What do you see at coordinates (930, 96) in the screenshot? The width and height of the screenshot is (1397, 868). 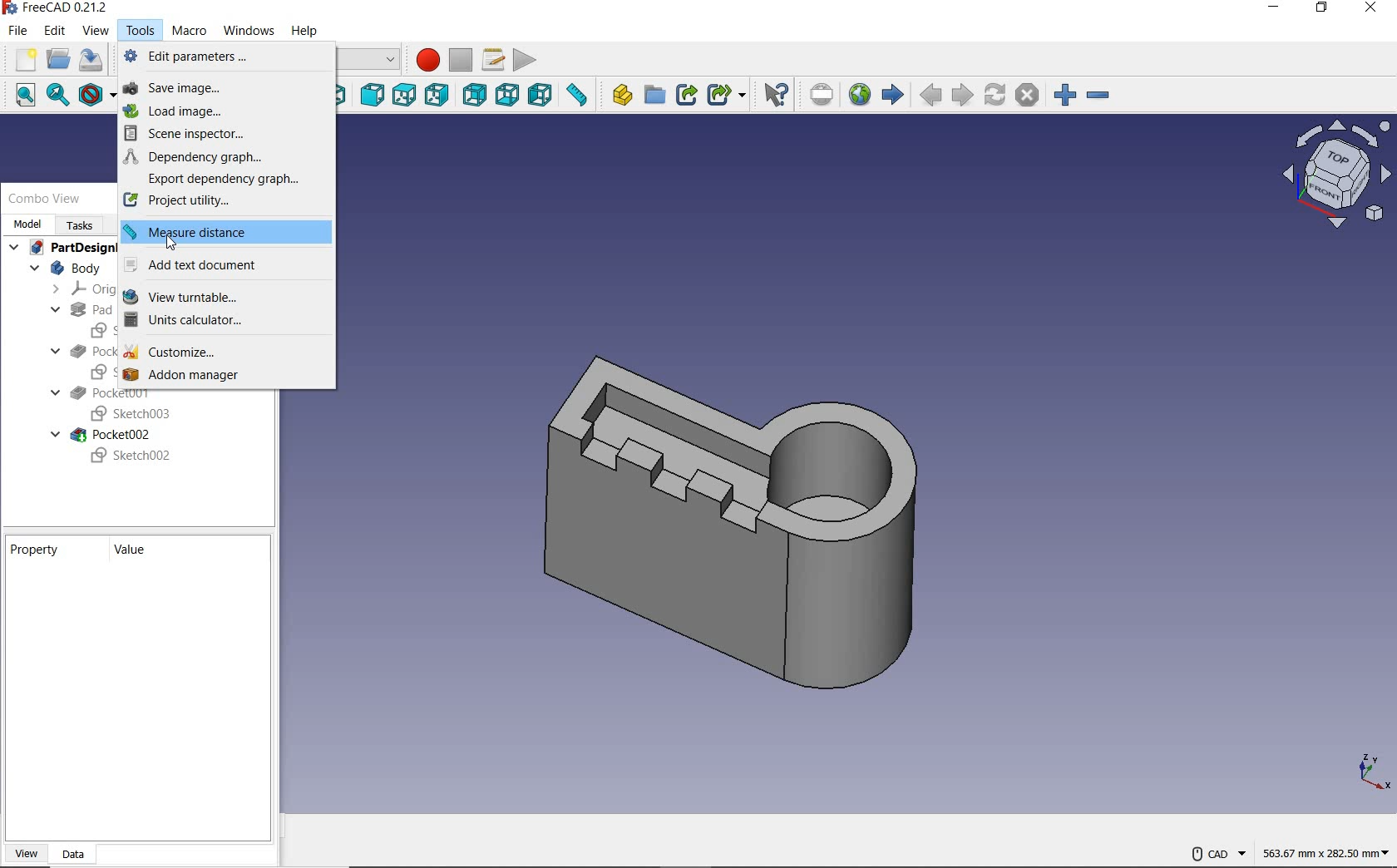 I see `previous page` at bounding box center [930, 96].